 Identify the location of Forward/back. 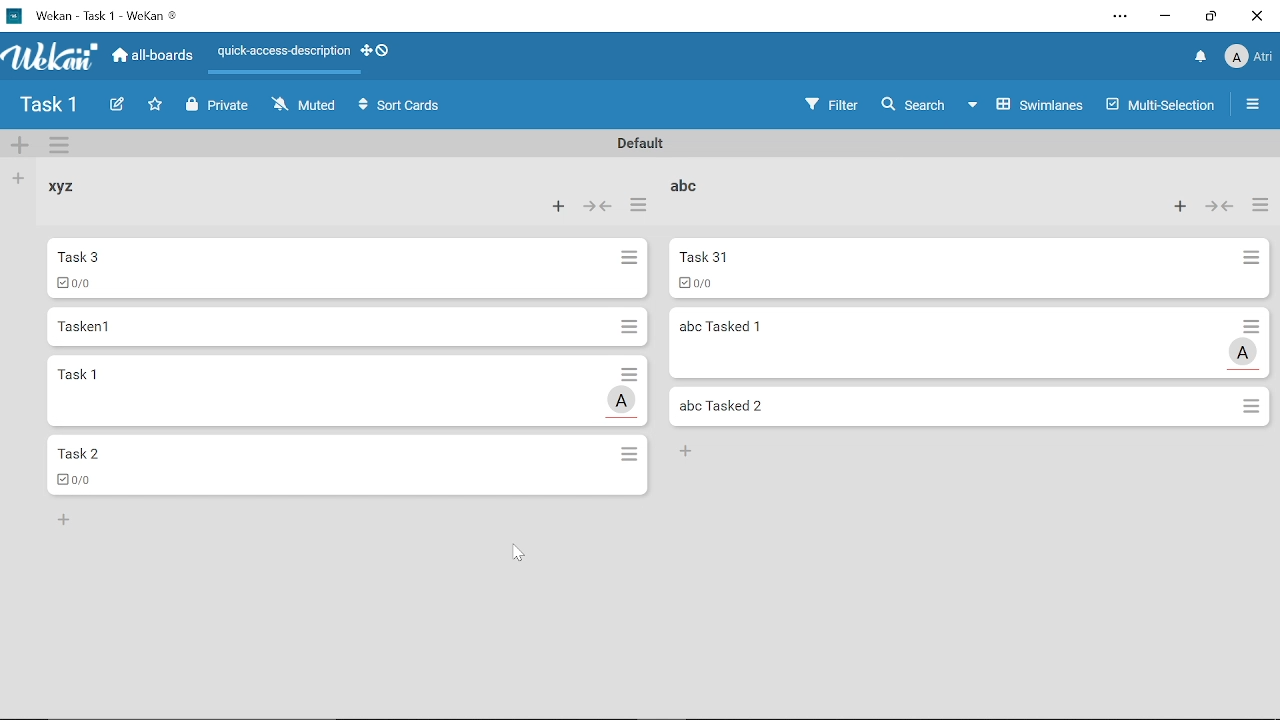
(597, 206).